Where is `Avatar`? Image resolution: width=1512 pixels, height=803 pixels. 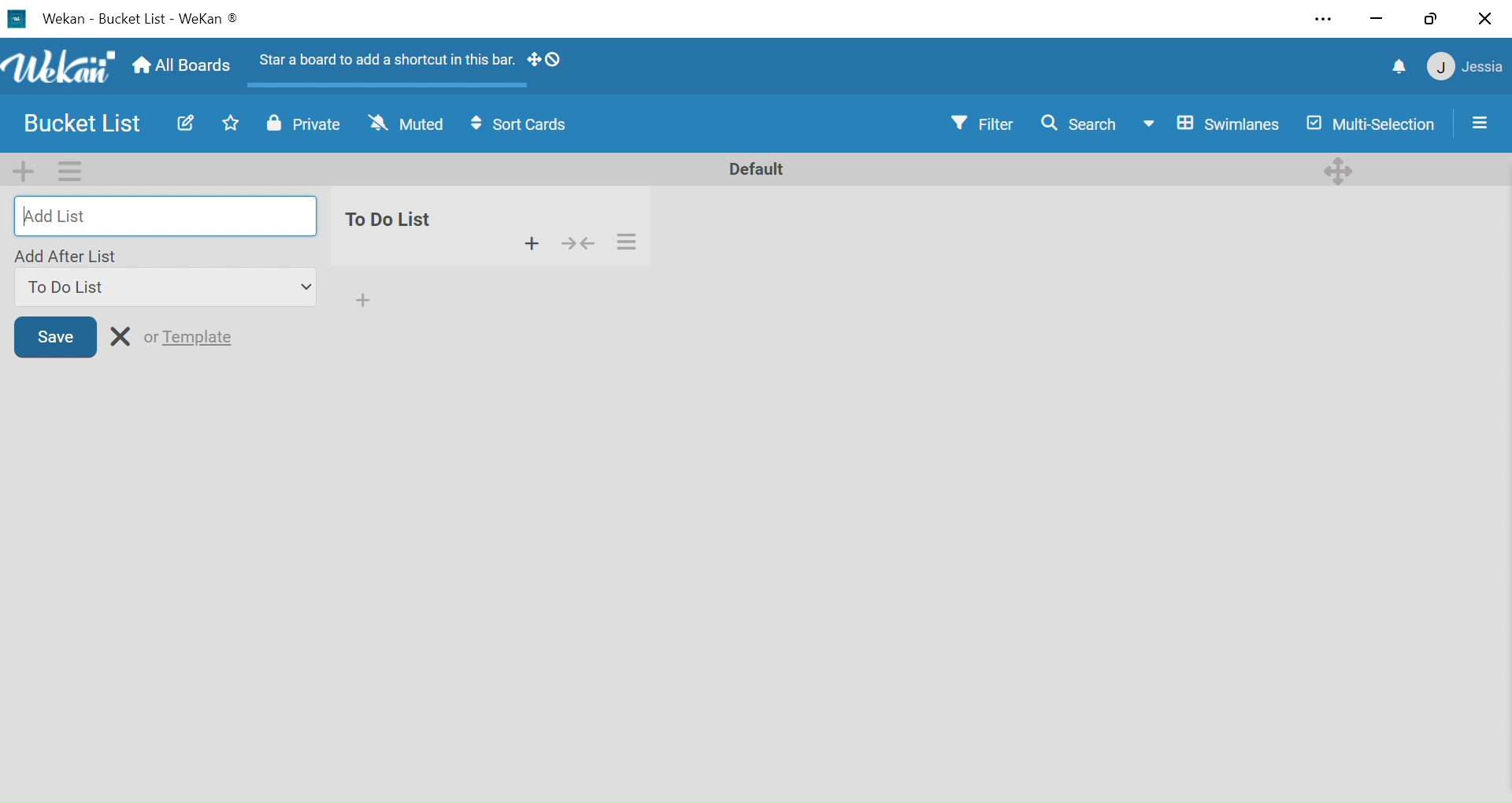
Avatar is located at coordinates (1440, 68).